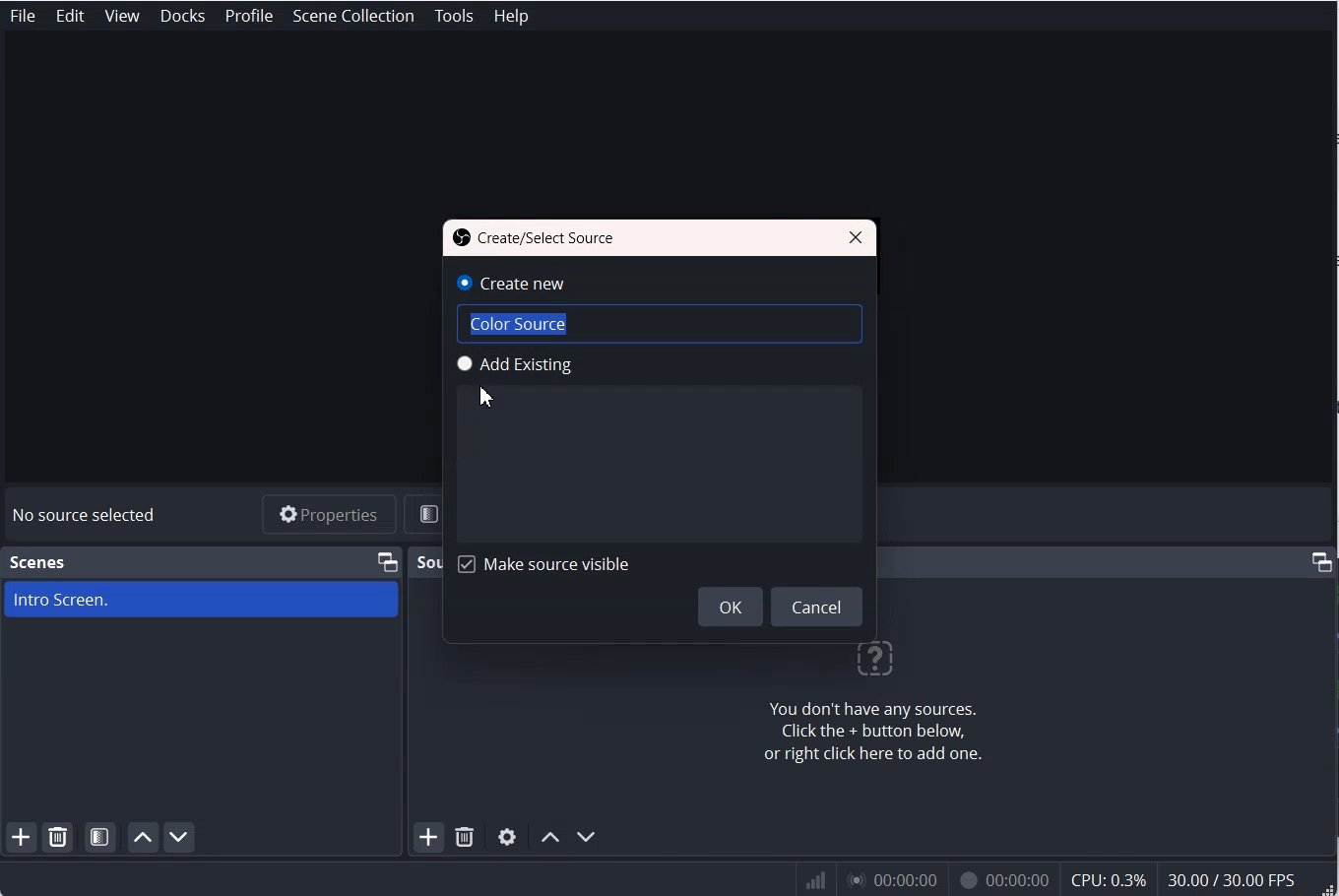 The width and height of the screenshot is (1339, 896). Describe the element at coordinates (201, 599) in the screenshot. I see `Intro Screen ` at that location.